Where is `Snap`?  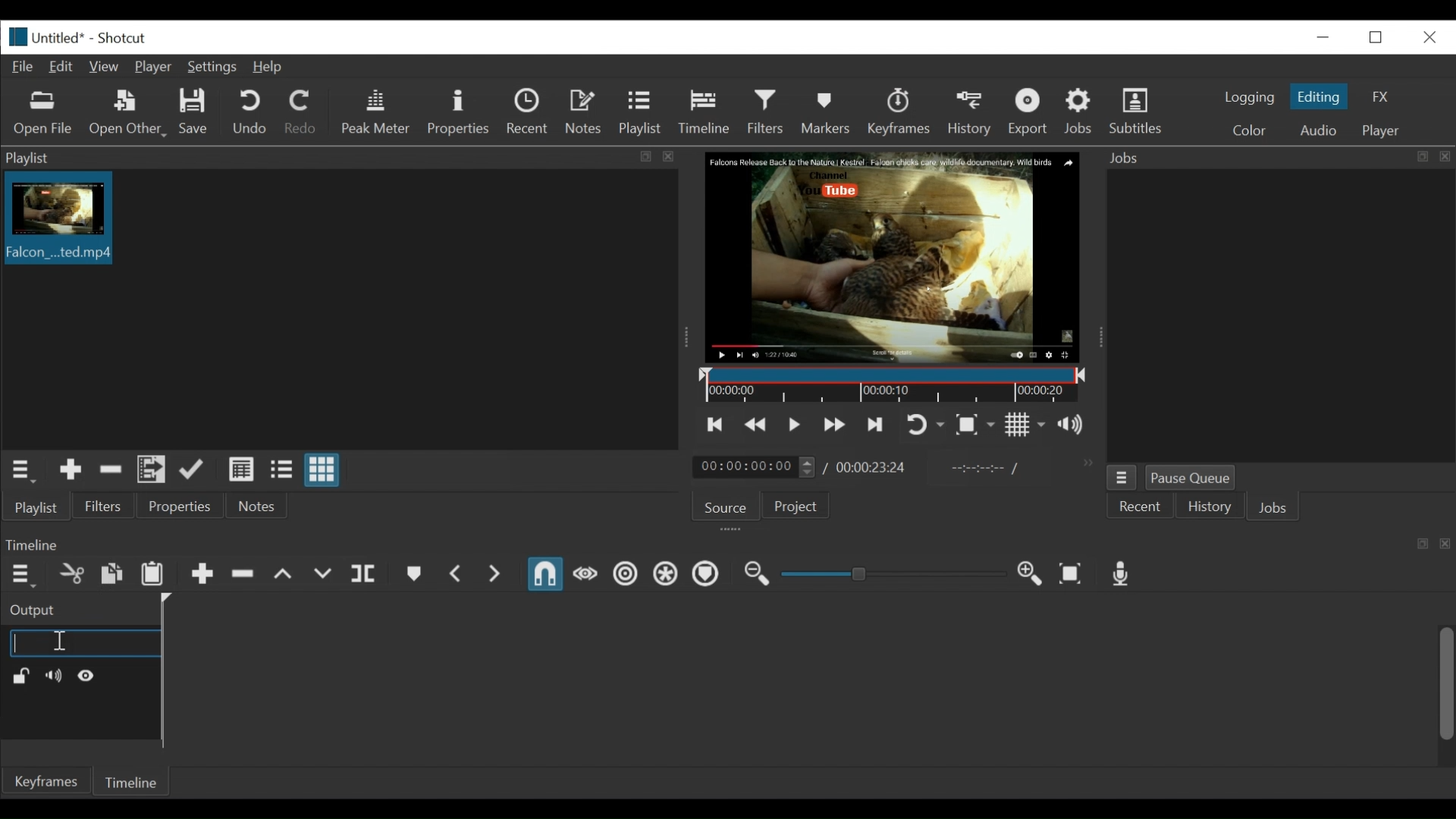 Snap is located at coordinates (547, 576).